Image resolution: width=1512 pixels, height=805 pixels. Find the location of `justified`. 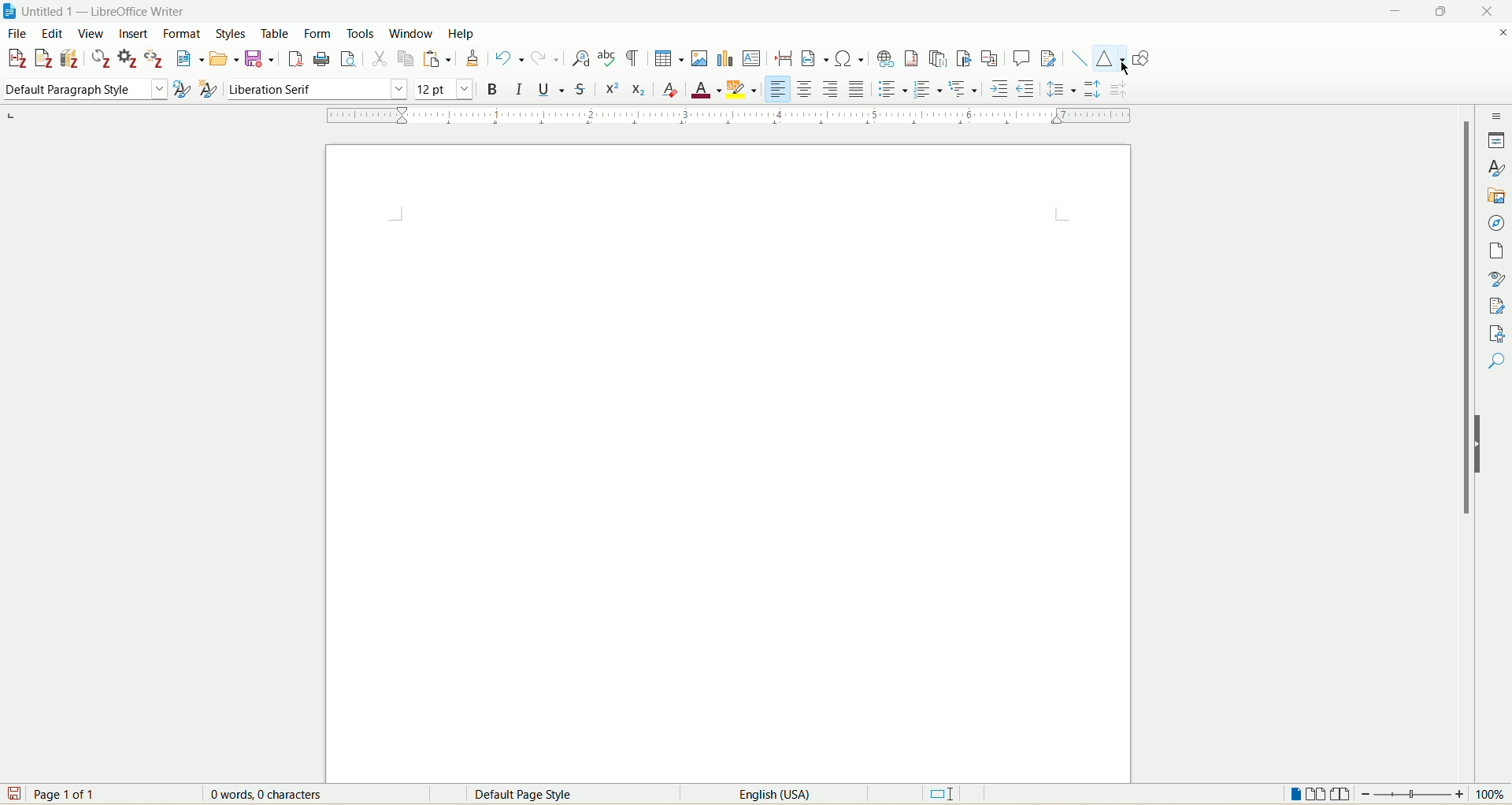

justified is located at coordinates (858, 89).